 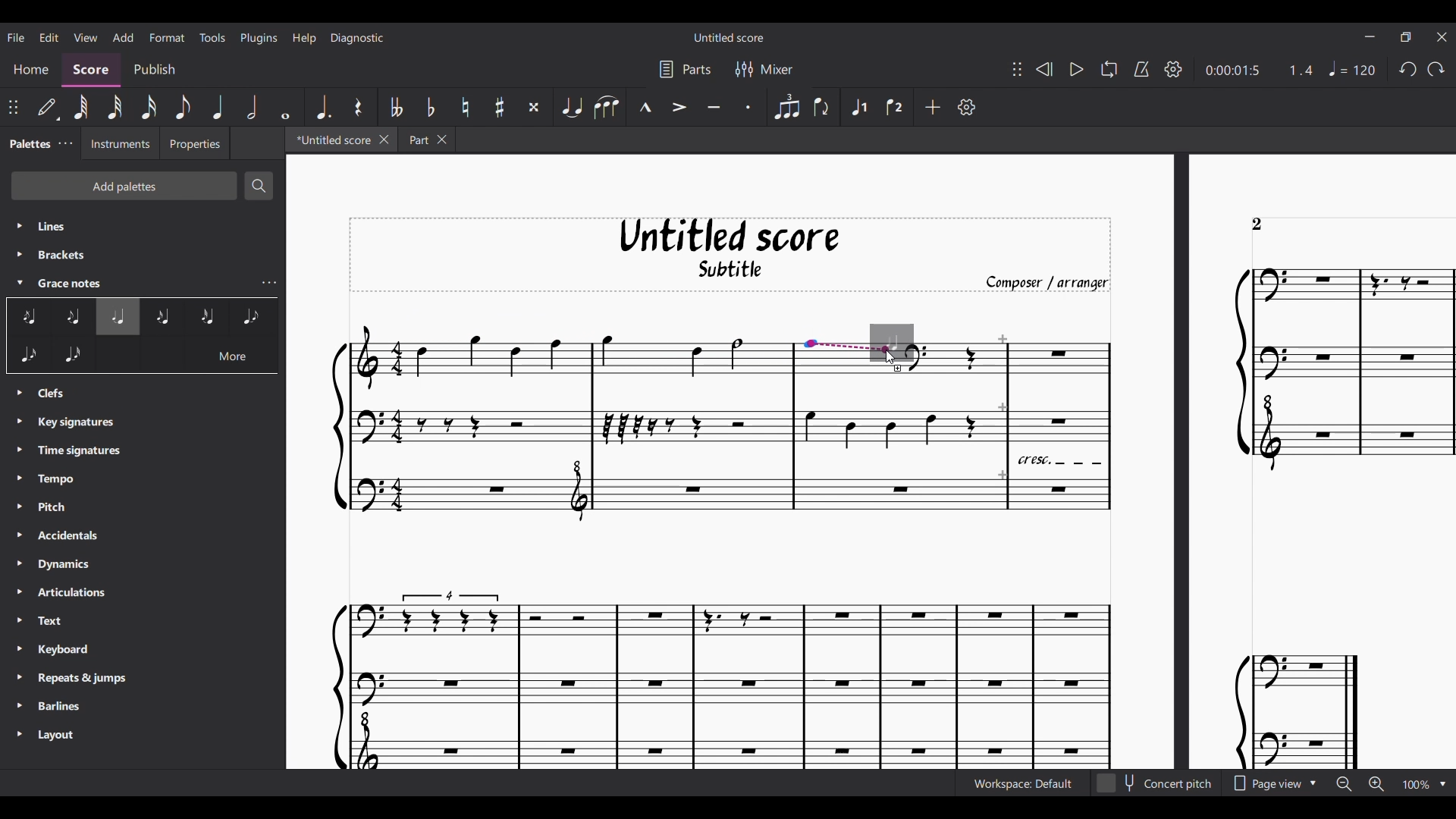 What do you see at coordinates (143, 359) in the screenshot?
I see `Grace note options` at bounding box center [143, 359].